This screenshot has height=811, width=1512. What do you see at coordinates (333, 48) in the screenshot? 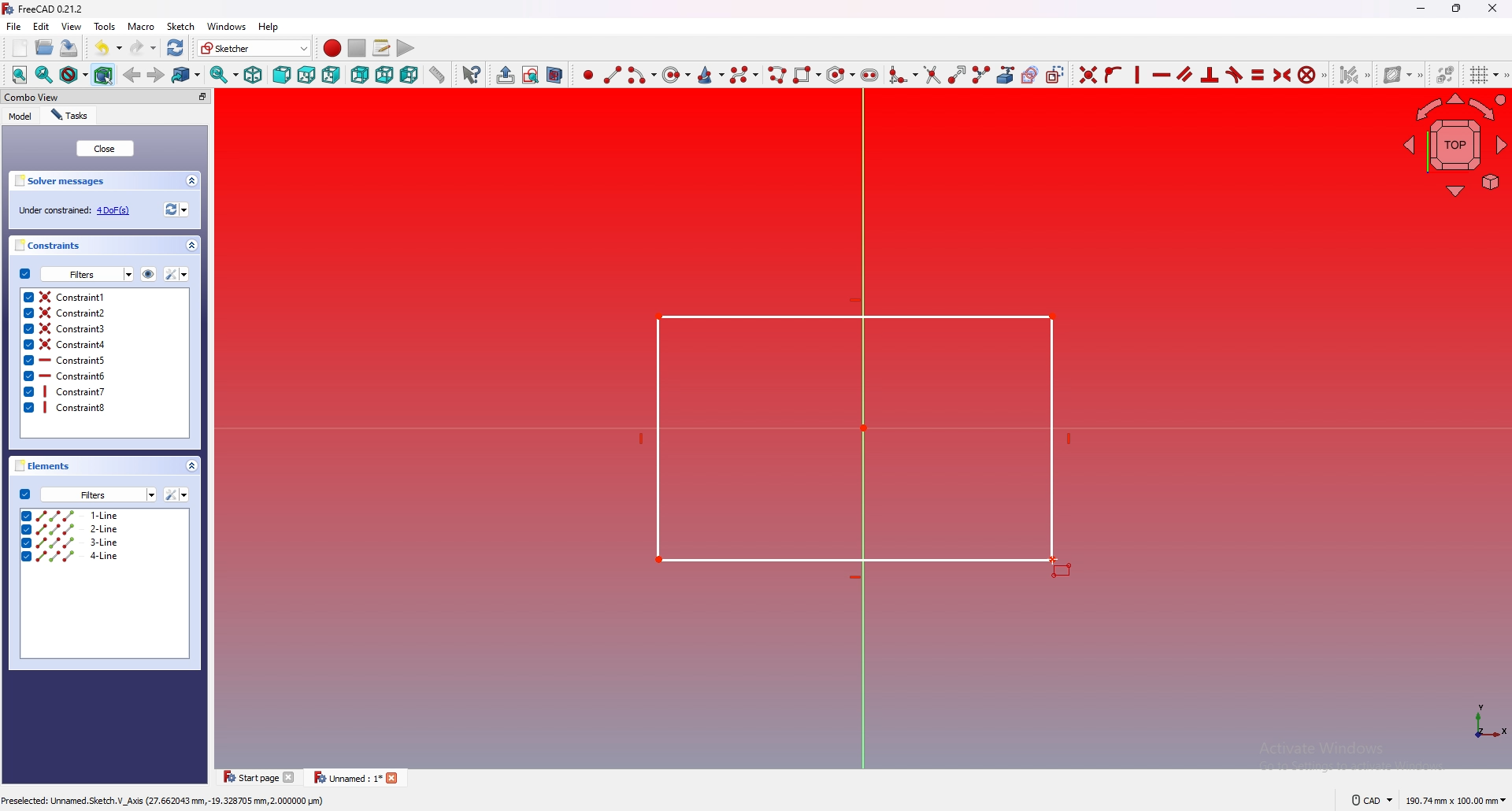
I see `record macro` at bounding box center [333, 48].